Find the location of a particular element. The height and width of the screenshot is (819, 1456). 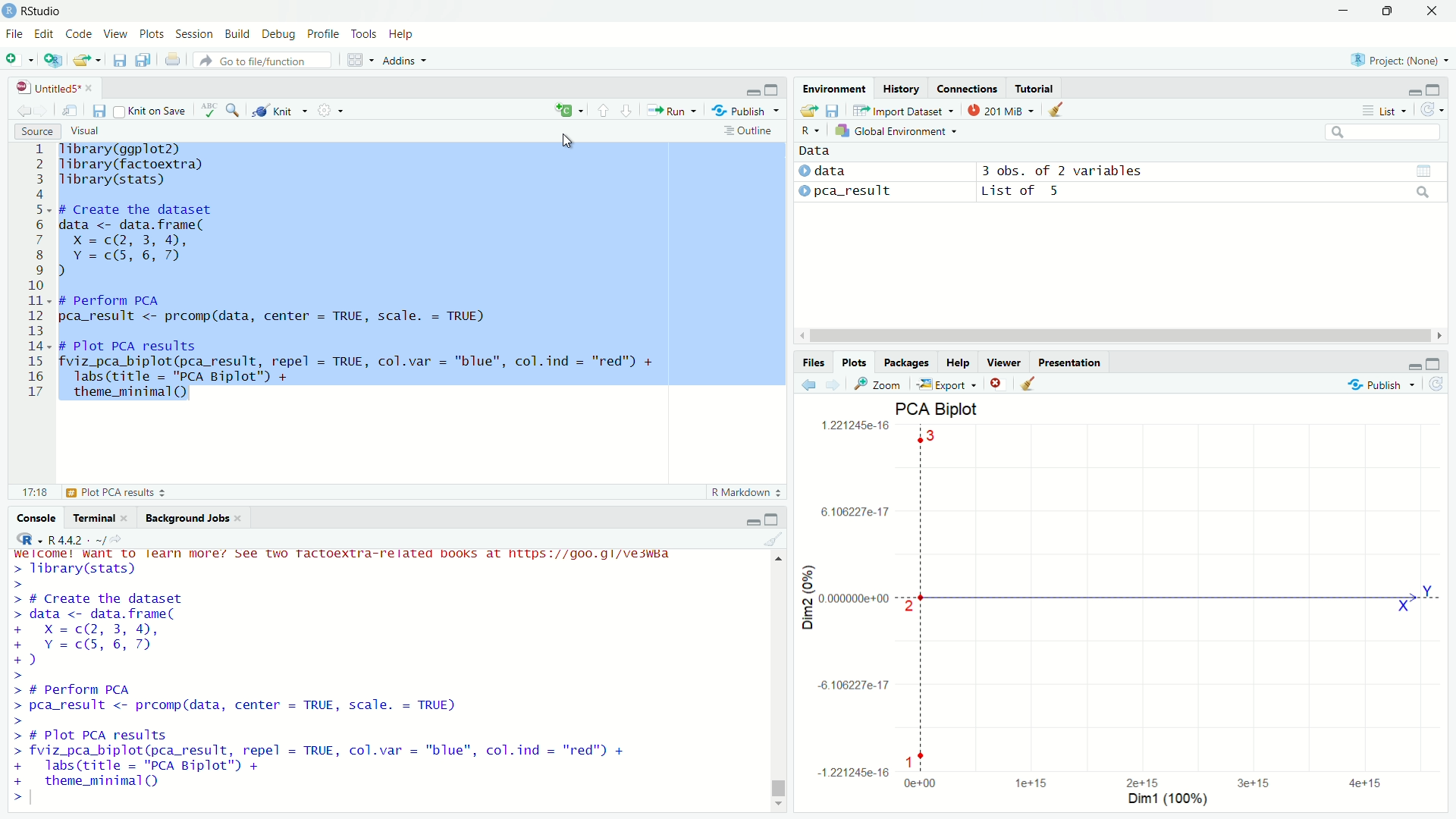

package abind  successtully unpacked and MD> sums checked
package ‘dendextend’ successfully unpacked and MD5 sums checked
package ‘FactoMineR’ successfully unpacked and MD5 sums checked
package ‘ggpubr’ successfully unpacked and MD5 sums checked
package ‘ggrepel’ successfully unpacked and MD5 sums checked
package ‘factoextra’ successfully unpacked and MD5 sums checked
The downloaded binary packages are in
C:\Users\HP\AppData\Local\Temp\RtmpawSva0o\downloaded_packages

> install.packages ("stats")
WARNING: Rtools is required to build R packages but is not currently installed. Please download and
install the appropriate version of Rtools before proceeding:
https://cran.rstudio.com/bin/windows /Rtools/
warning in install.packages :

package ‘stats’ is in use and will not be installed
> is located at coordinates (389, 677).